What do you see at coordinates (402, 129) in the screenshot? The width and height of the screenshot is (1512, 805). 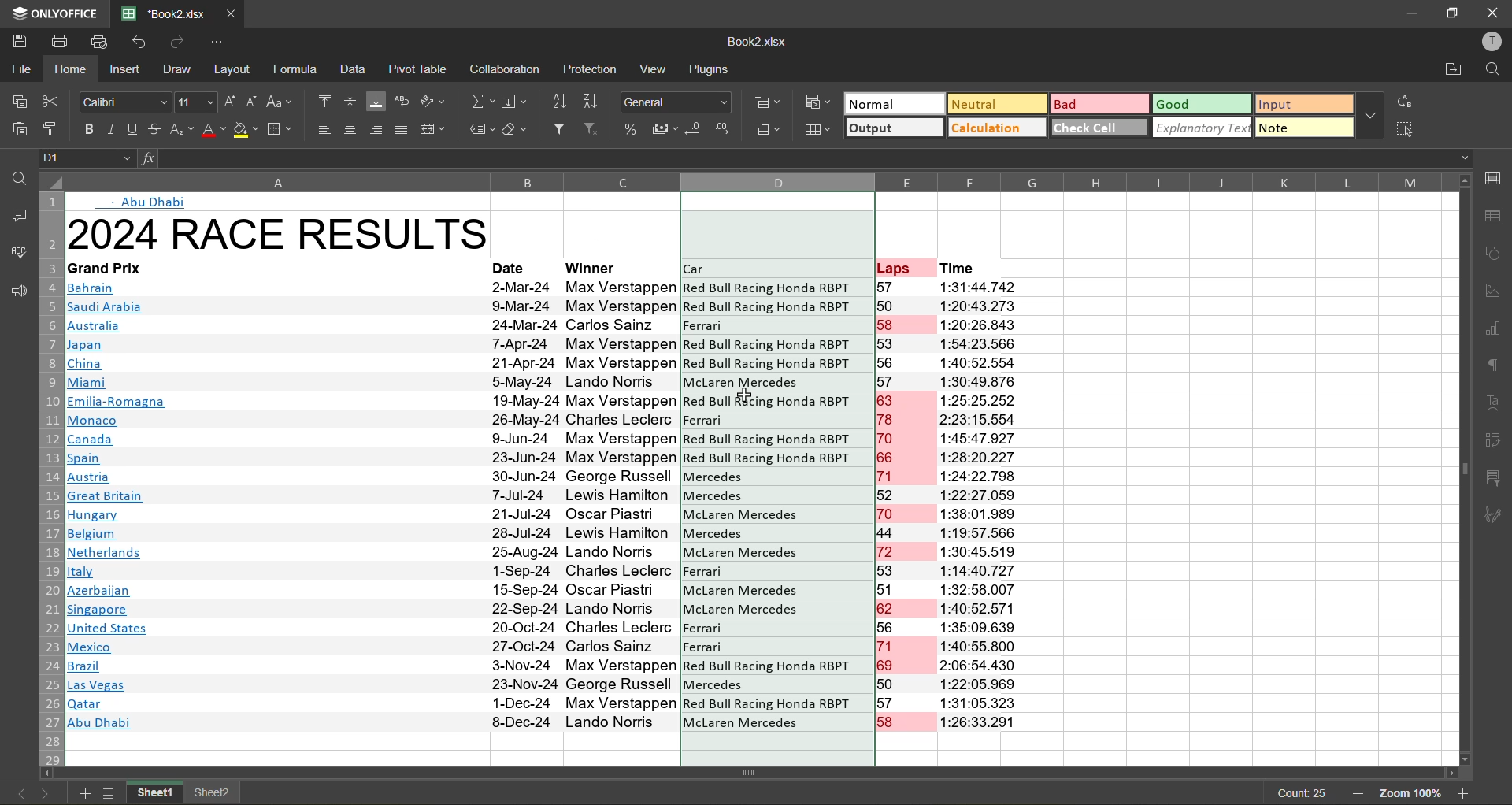 I see `justified` at bounding box center [402, 129].